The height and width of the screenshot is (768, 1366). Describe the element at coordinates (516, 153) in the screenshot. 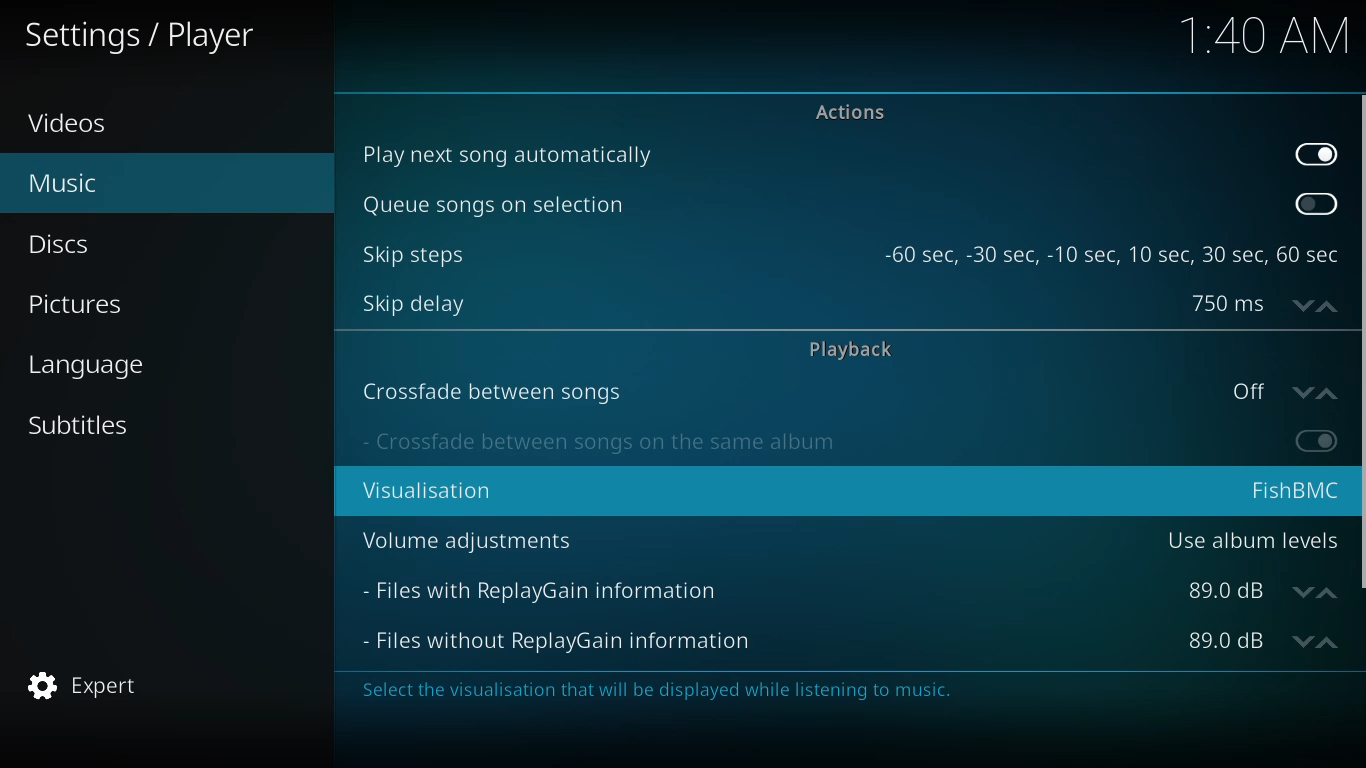

I see `play next song automatically` at that location.